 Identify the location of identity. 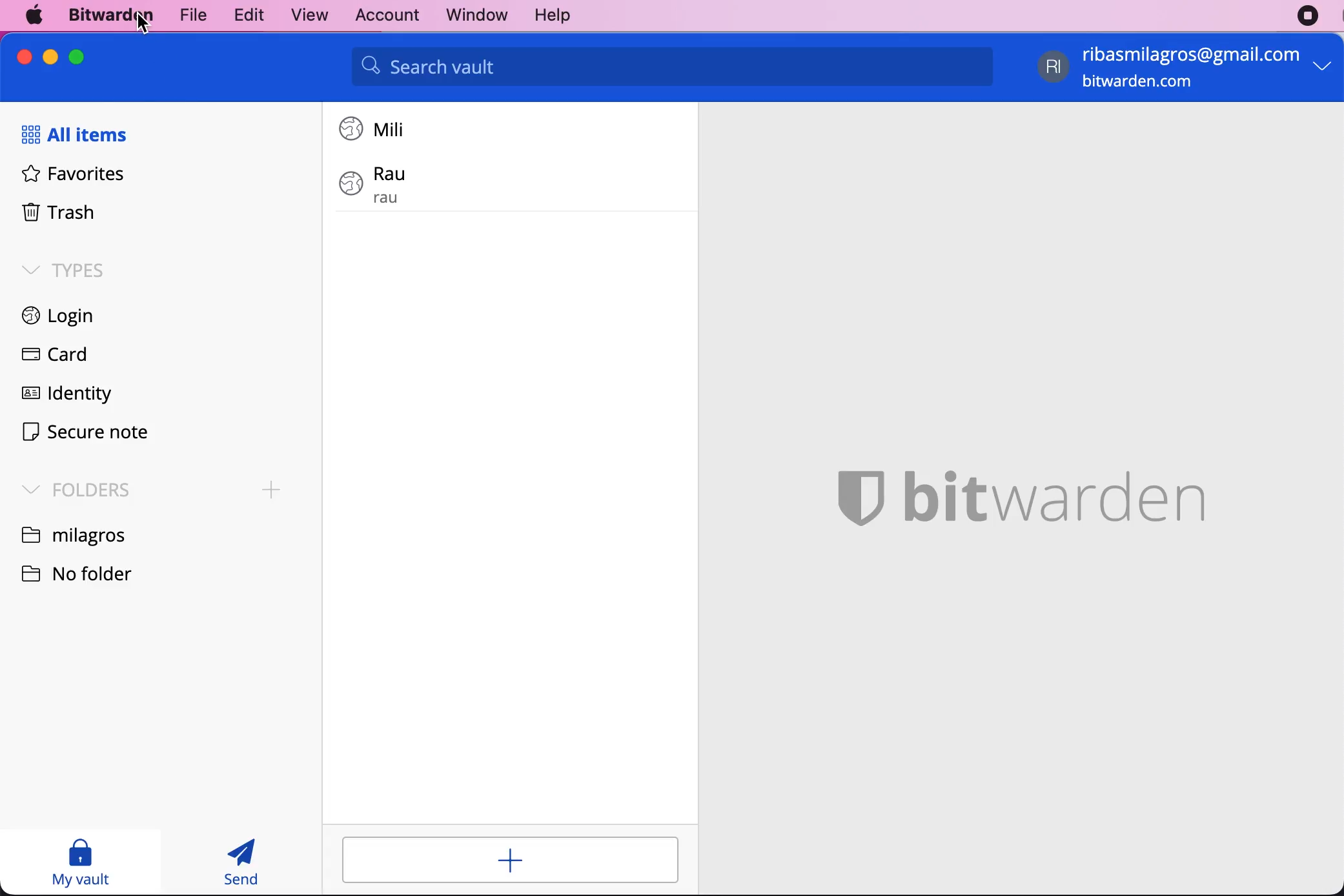
(63, 396).